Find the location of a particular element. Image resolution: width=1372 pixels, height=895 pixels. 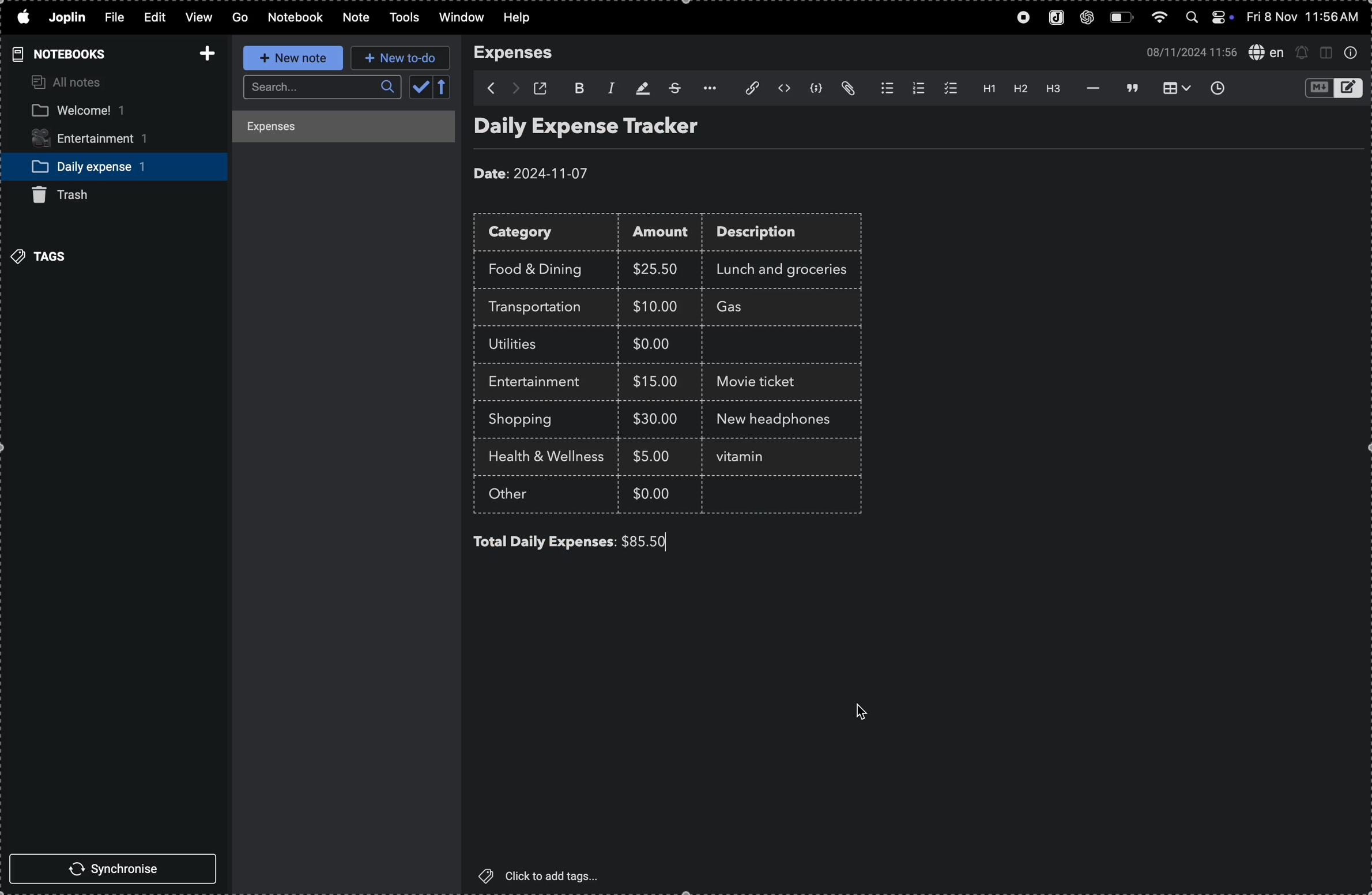

amount is located at coordinates (665, 234).